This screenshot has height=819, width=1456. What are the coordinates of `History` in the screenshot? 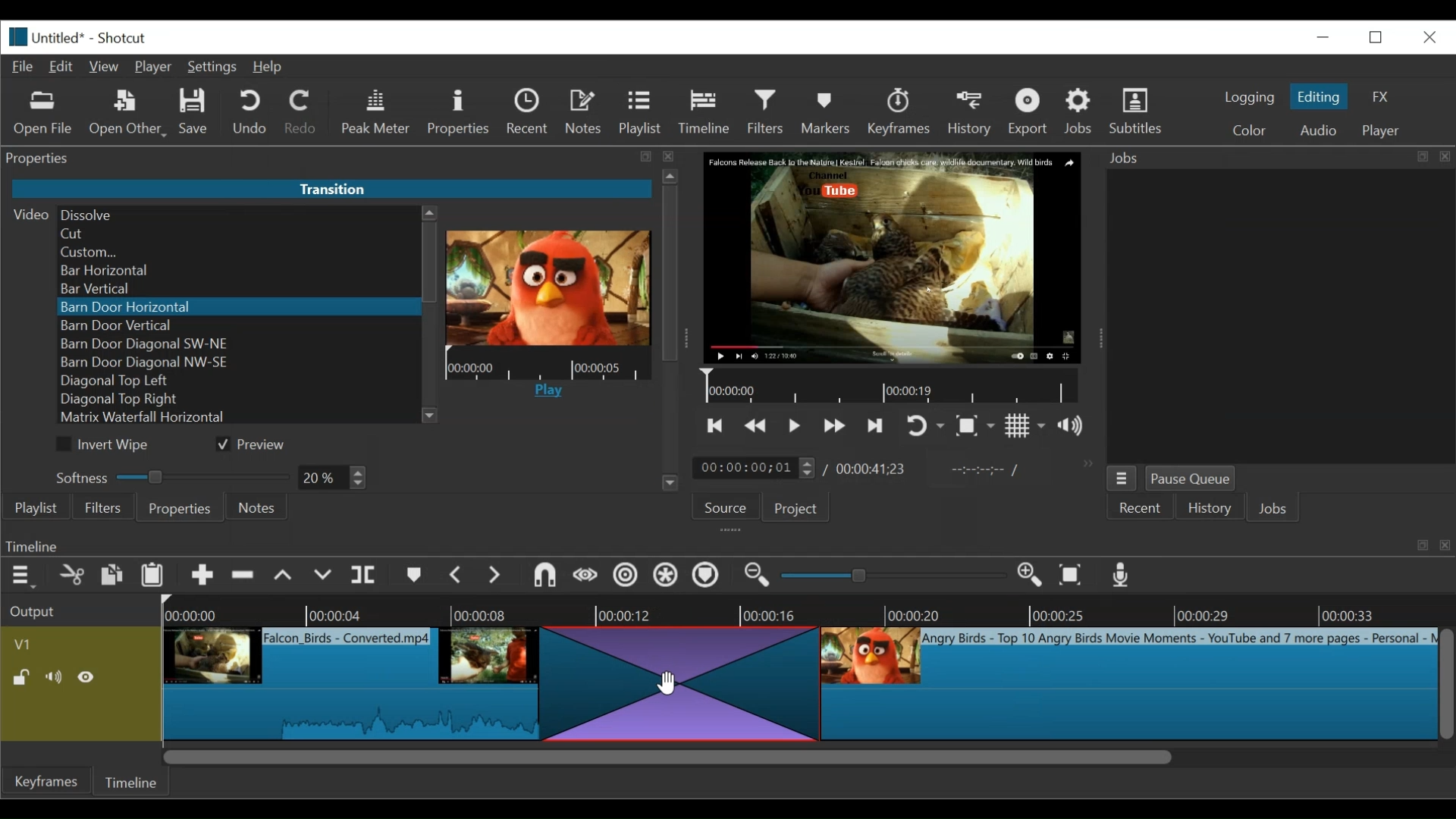 It's located at (972, 115).